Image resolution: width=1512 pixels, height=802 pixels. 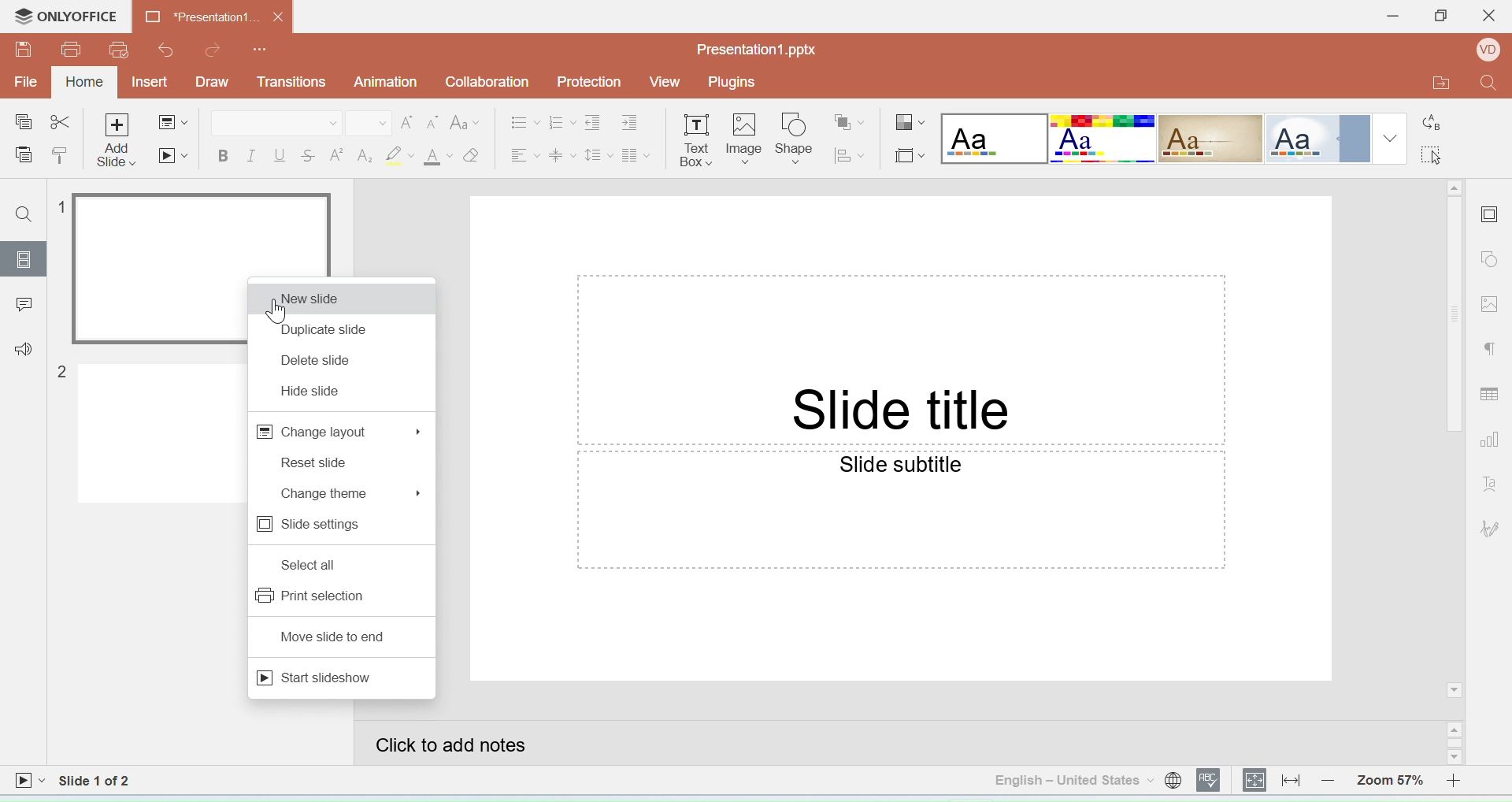 I want to click on Number spacing, so click(x=563, y=121).